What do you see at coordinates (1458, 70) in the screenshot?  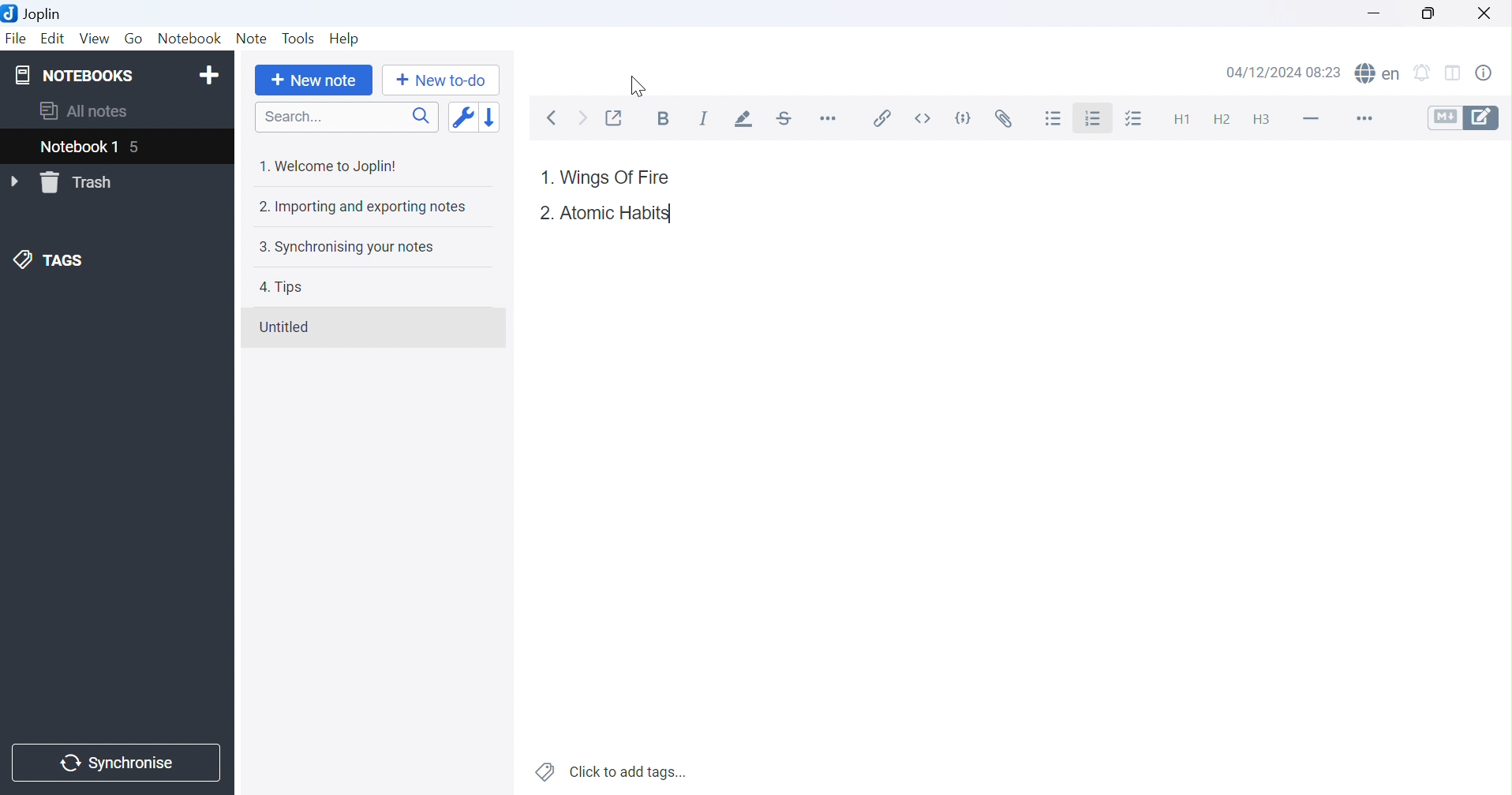 I see `Toggle editor layout` at bounding box center [1458, 70].